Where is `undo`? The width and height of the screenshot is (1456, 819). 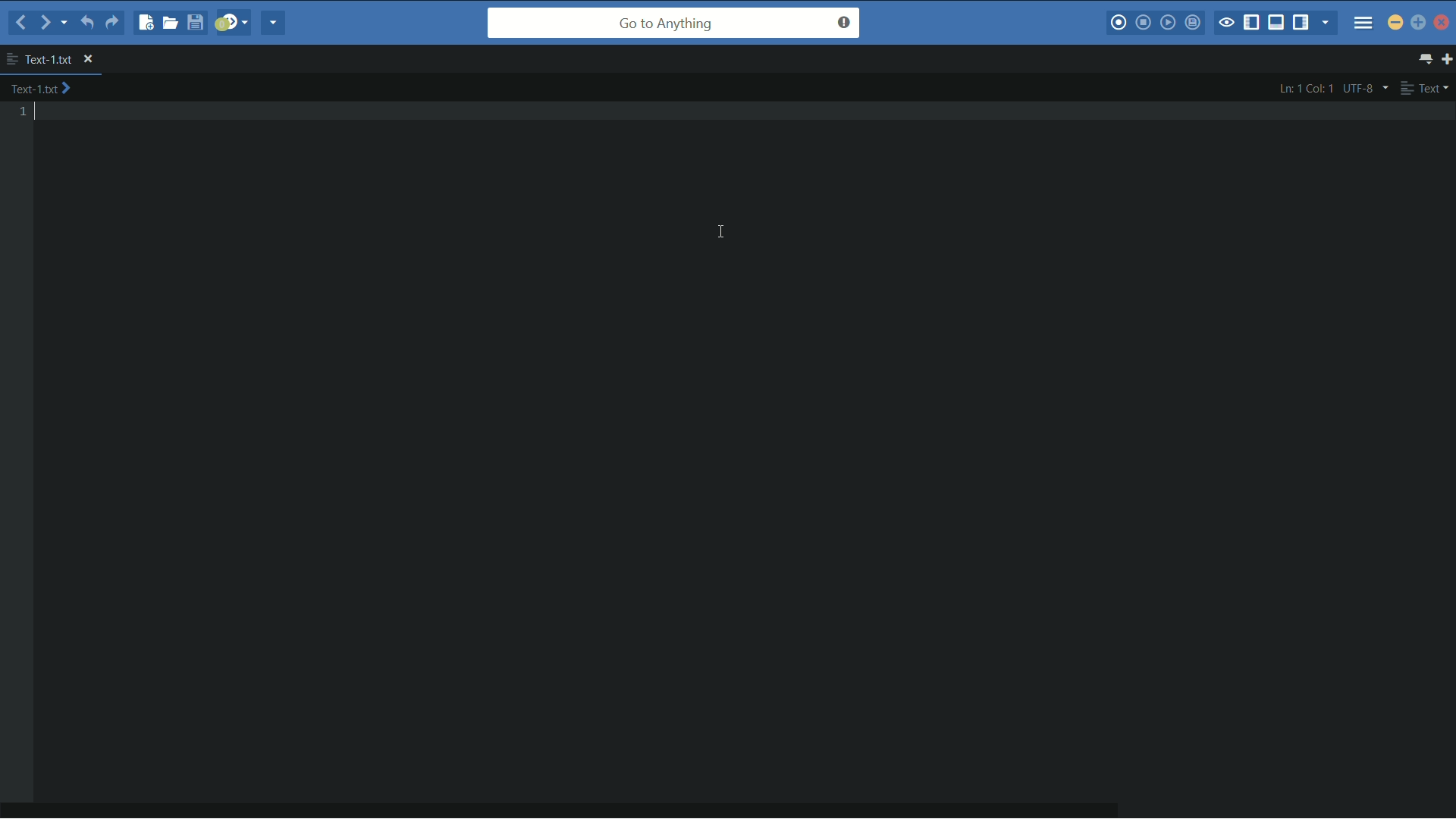 undo is located at coordinates (85, 24).